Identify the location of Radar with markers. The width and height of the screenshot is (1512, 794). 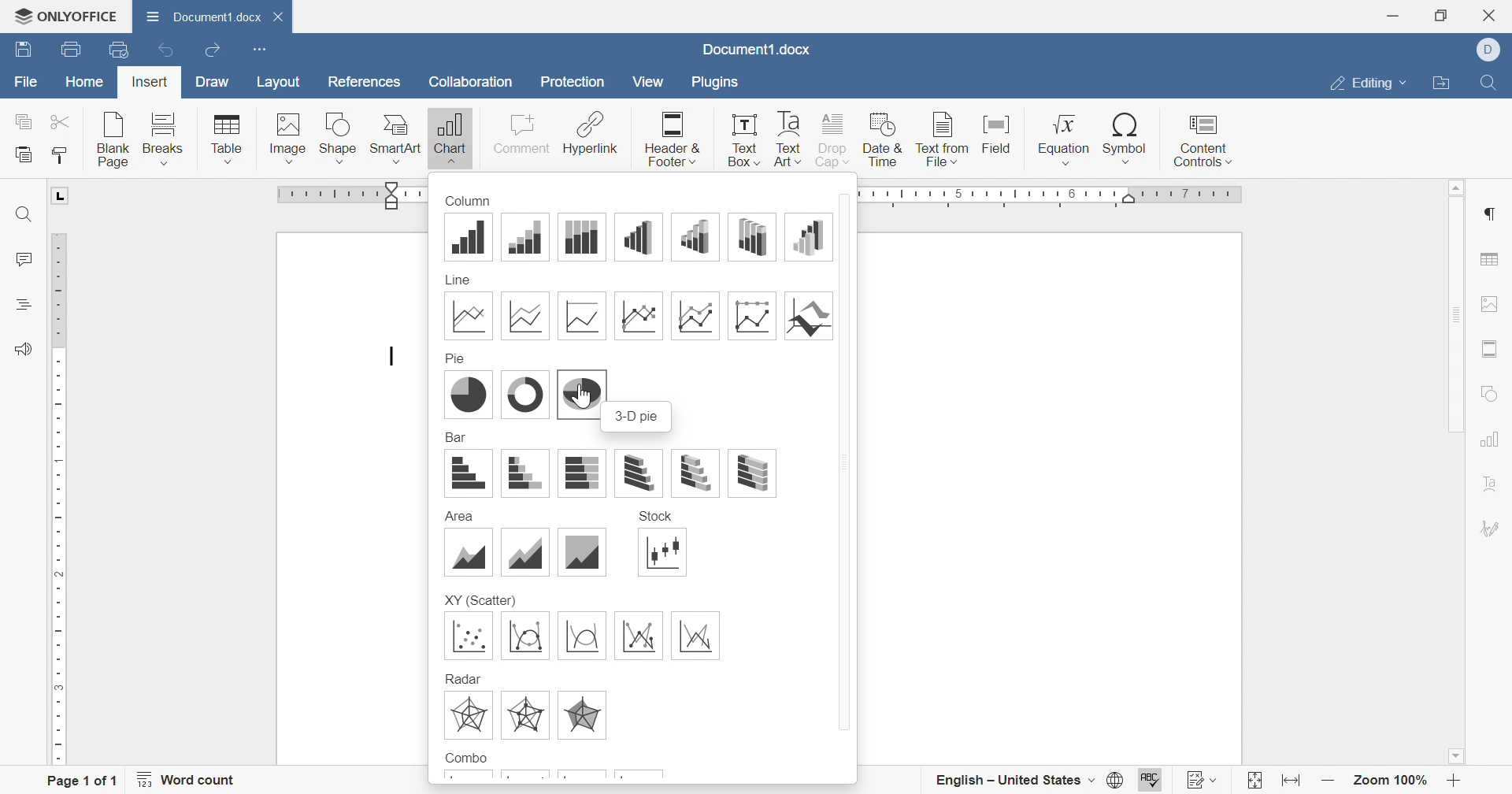
(525, 715).